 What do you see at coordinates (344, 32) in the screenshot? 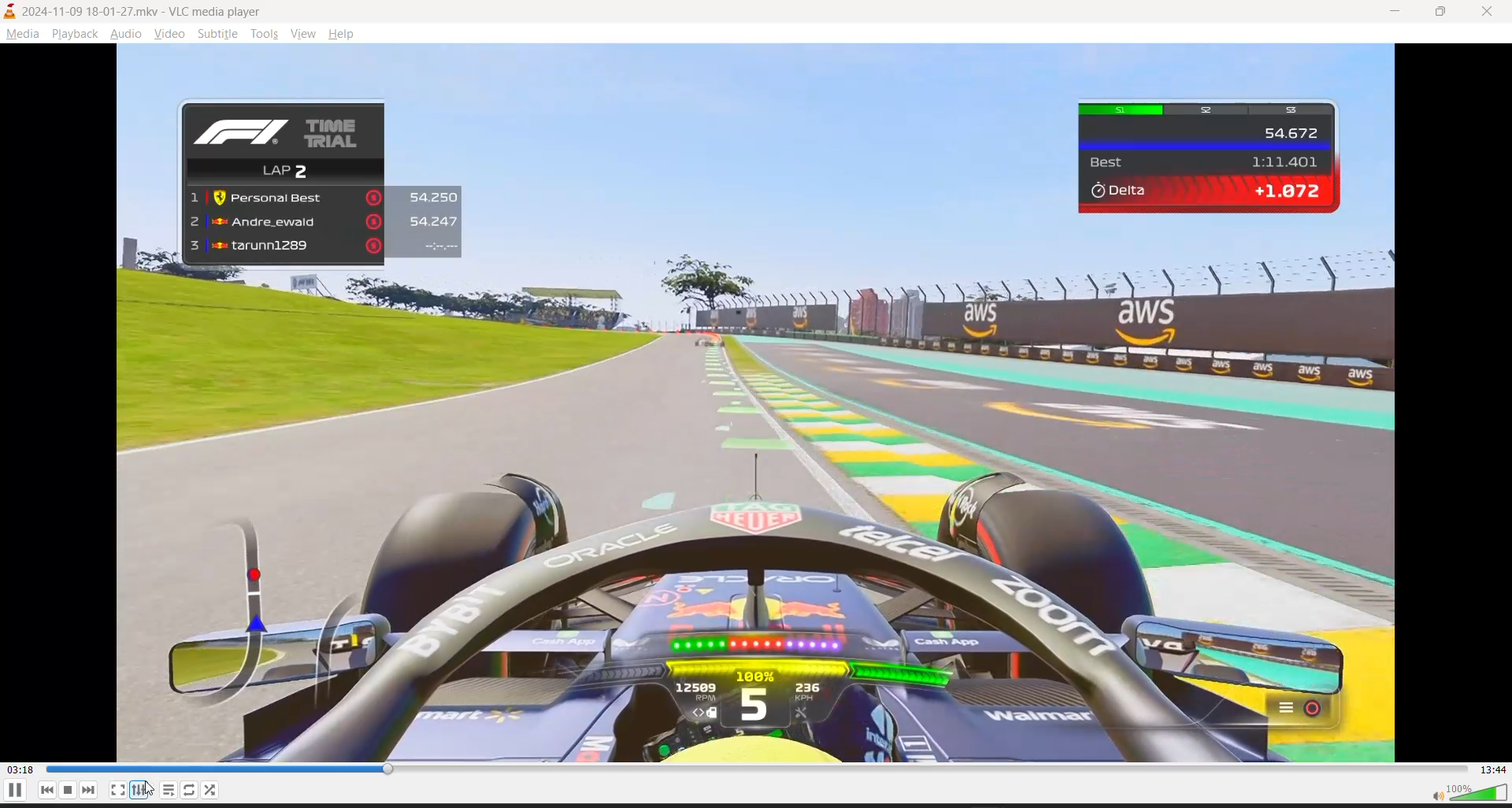
I see `help` at bounding box center [344, 32].